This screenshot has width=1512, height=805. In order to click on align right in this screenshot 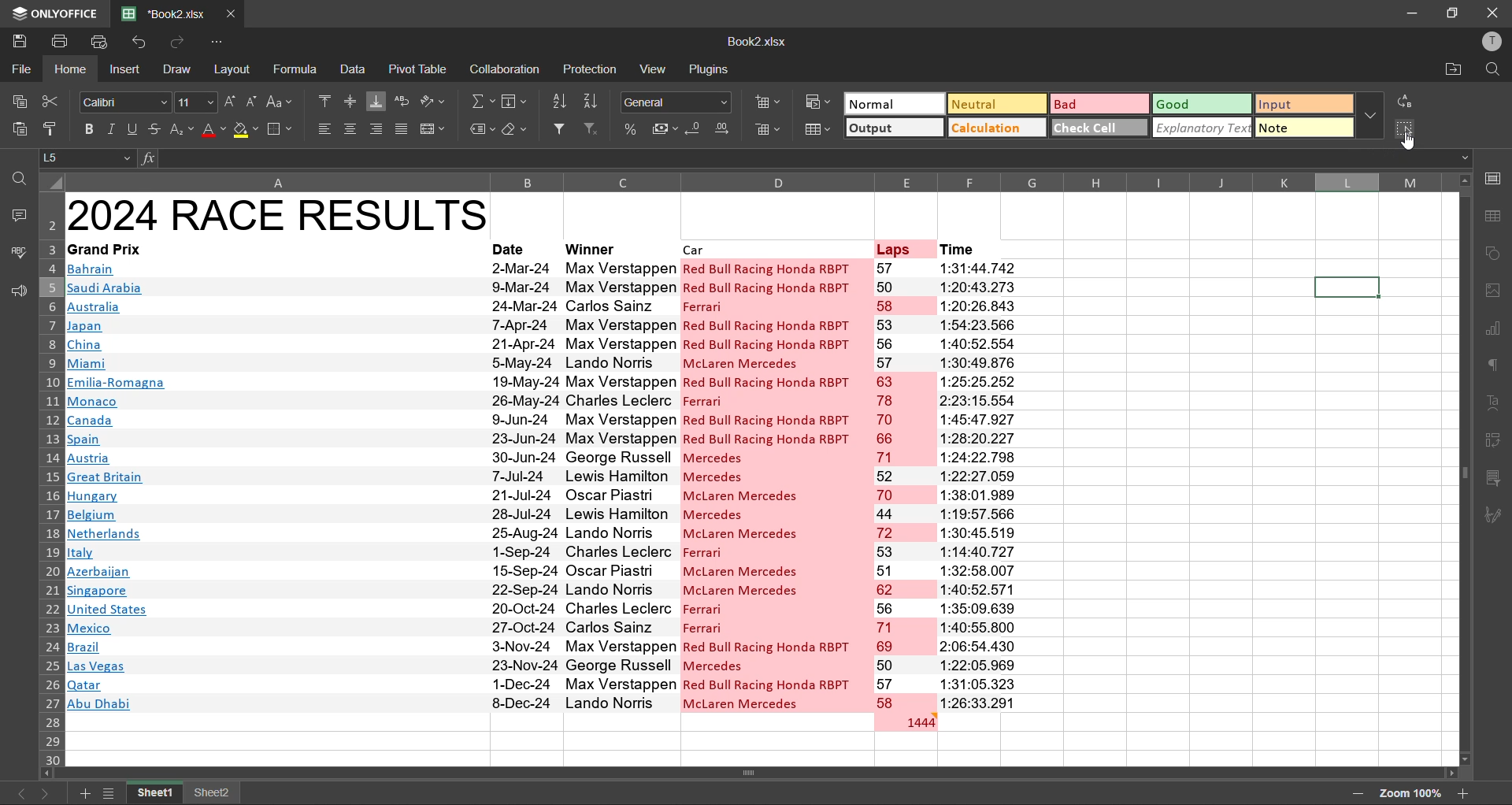, I will do `click(379, 128)`.